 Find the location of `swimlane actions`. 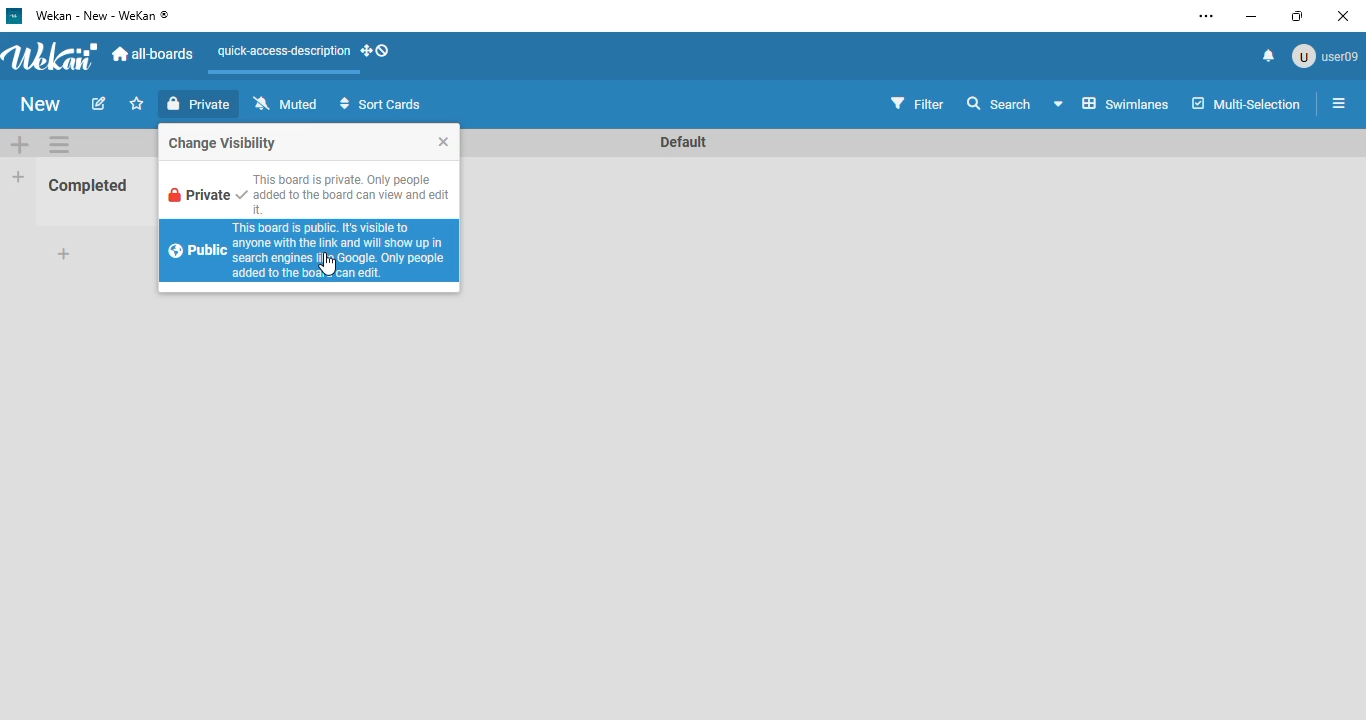

swimlane actions is located at coordinates (60, 144).